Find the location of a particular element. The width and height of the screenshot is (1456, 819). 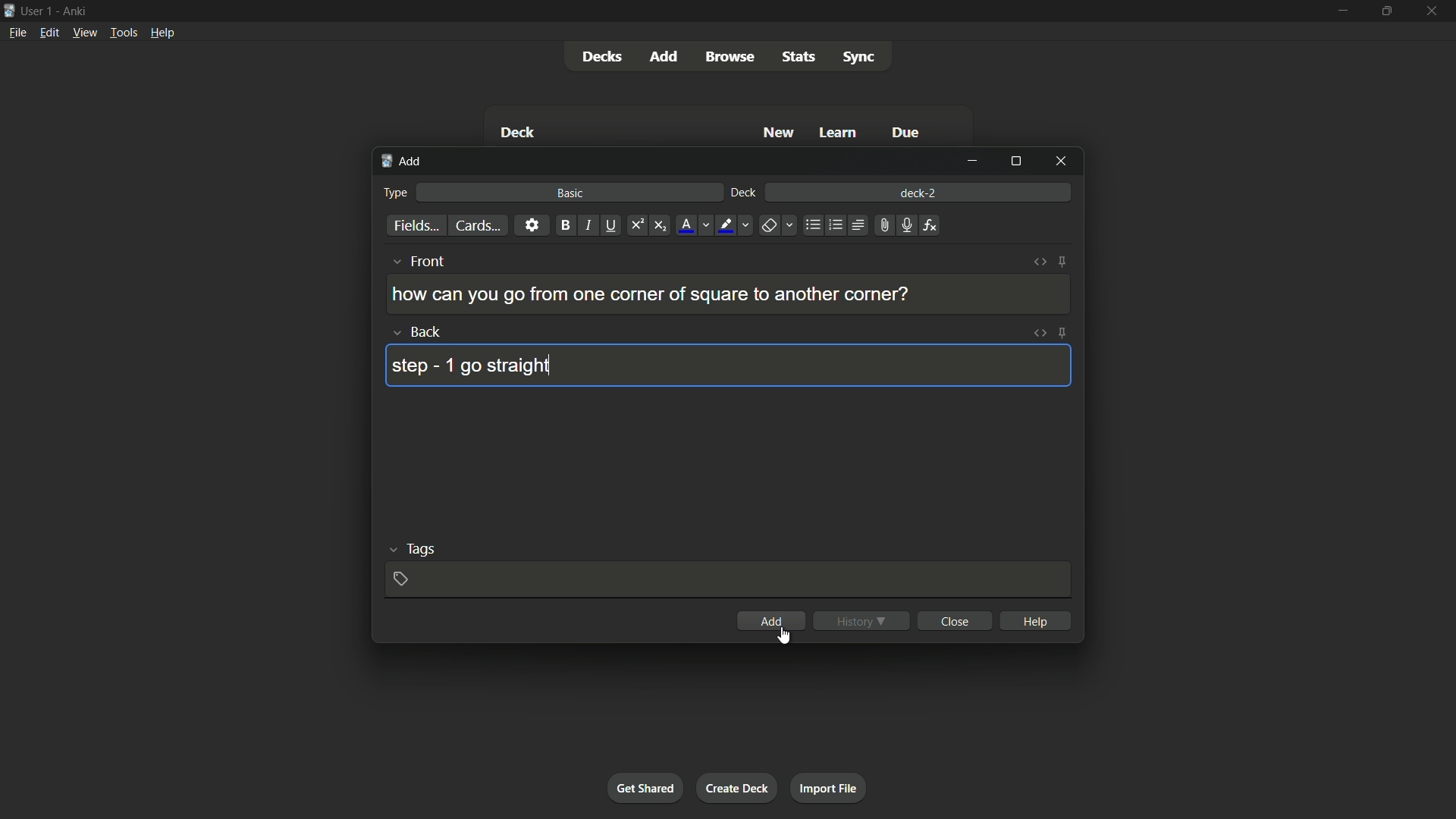

add tag is located at coordinates (403, 579).